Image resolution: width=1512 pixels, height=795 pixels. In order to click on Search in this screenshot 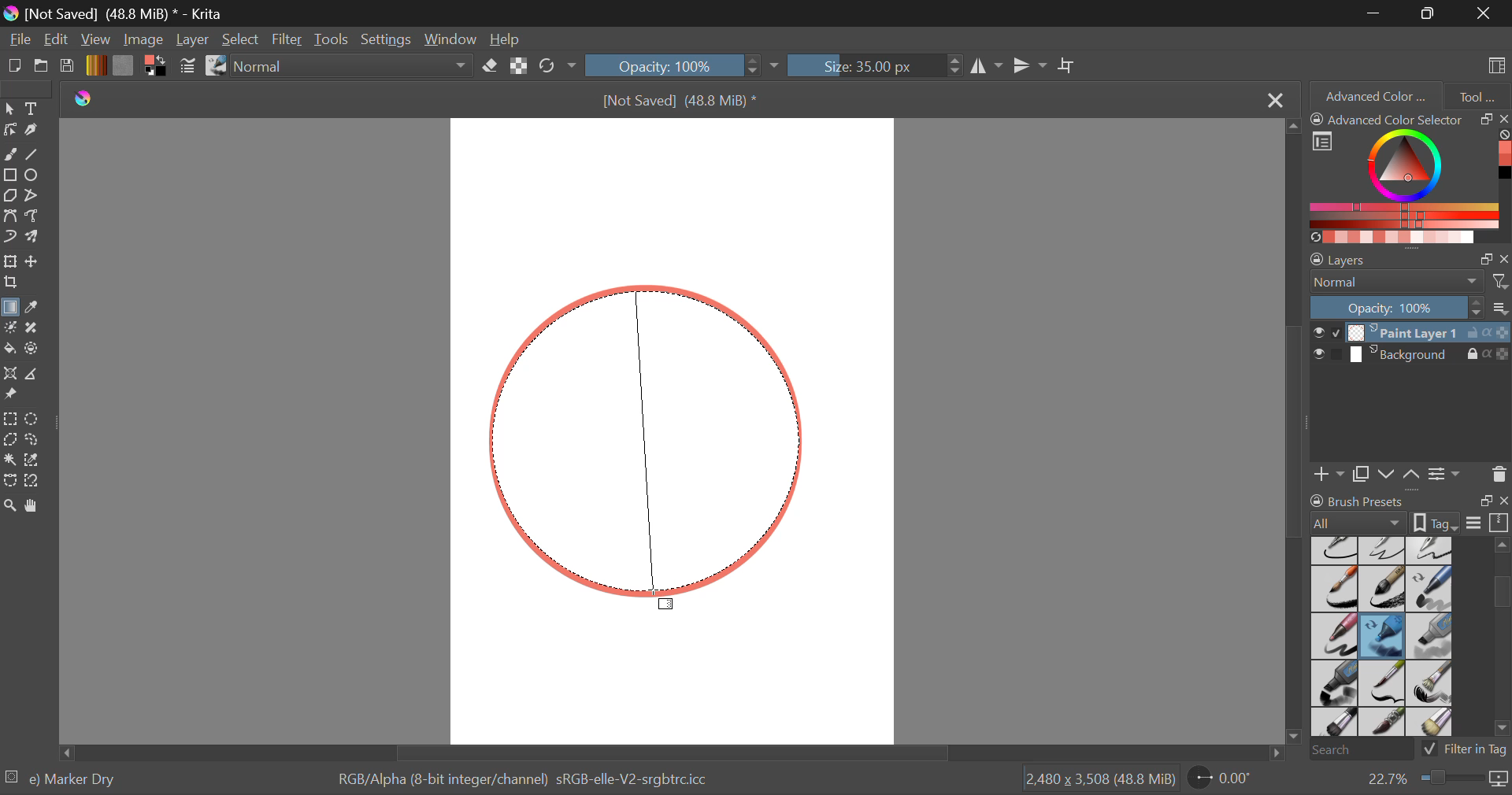, I will do `click(1357, 751)`.